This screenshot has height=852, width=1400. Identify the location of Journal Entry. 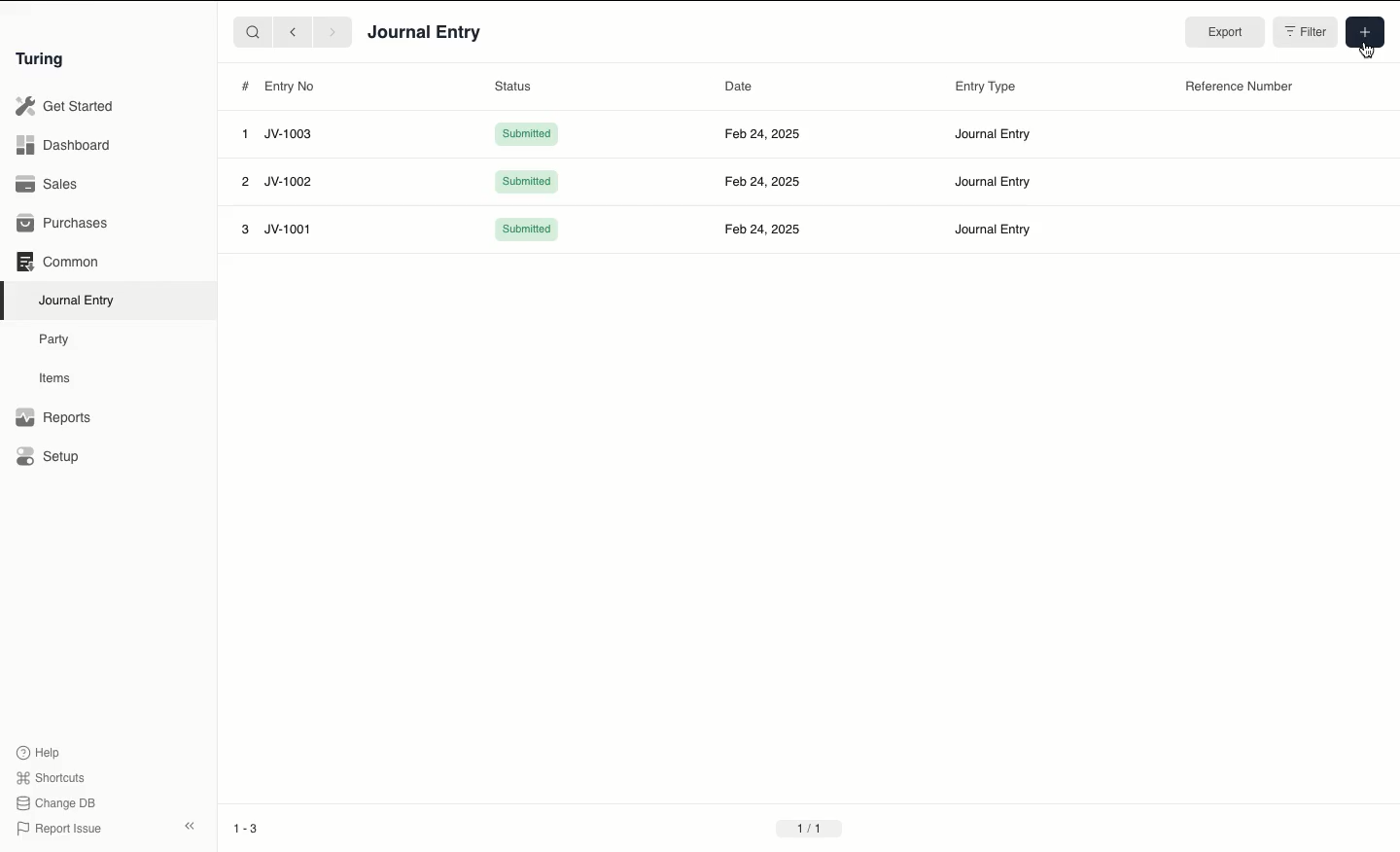
(992, 133).